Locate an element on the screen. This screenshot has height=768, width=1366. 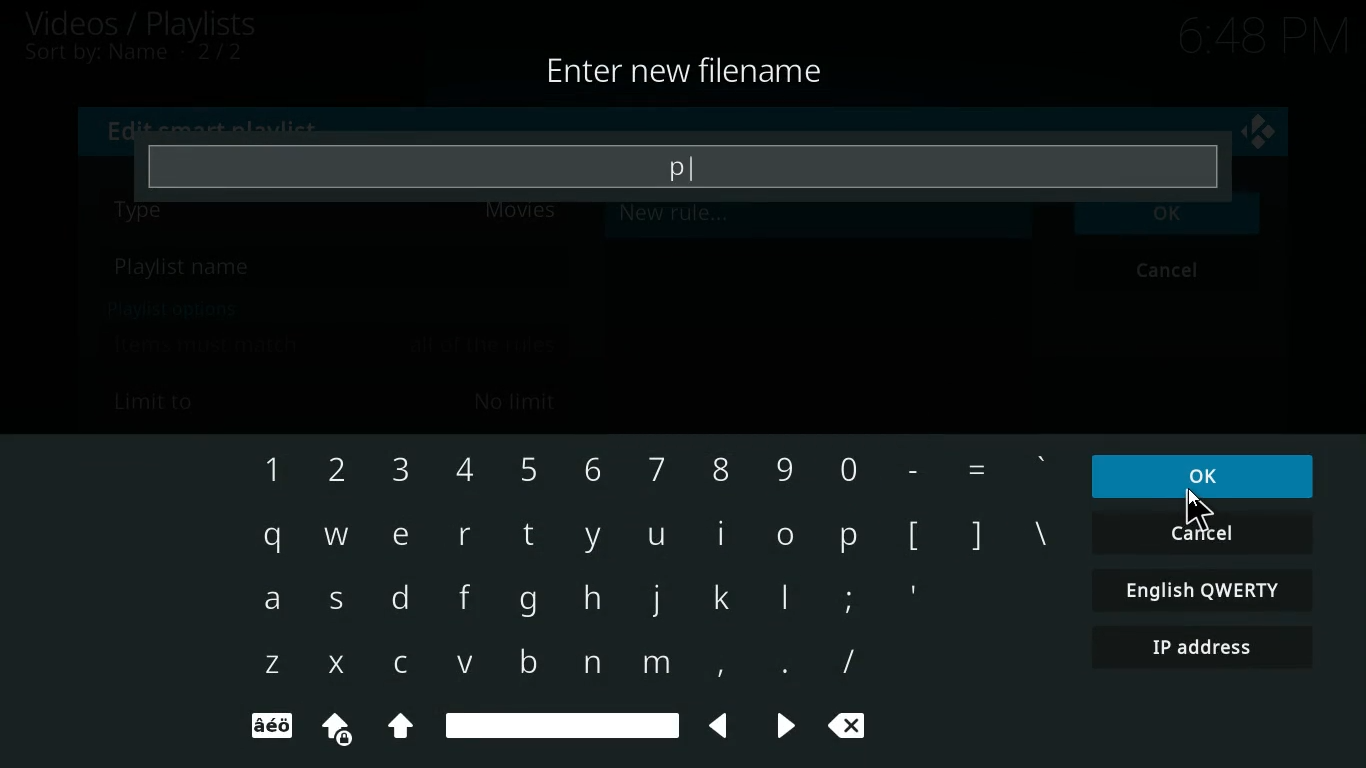
q is located at coordinates (268, 538).